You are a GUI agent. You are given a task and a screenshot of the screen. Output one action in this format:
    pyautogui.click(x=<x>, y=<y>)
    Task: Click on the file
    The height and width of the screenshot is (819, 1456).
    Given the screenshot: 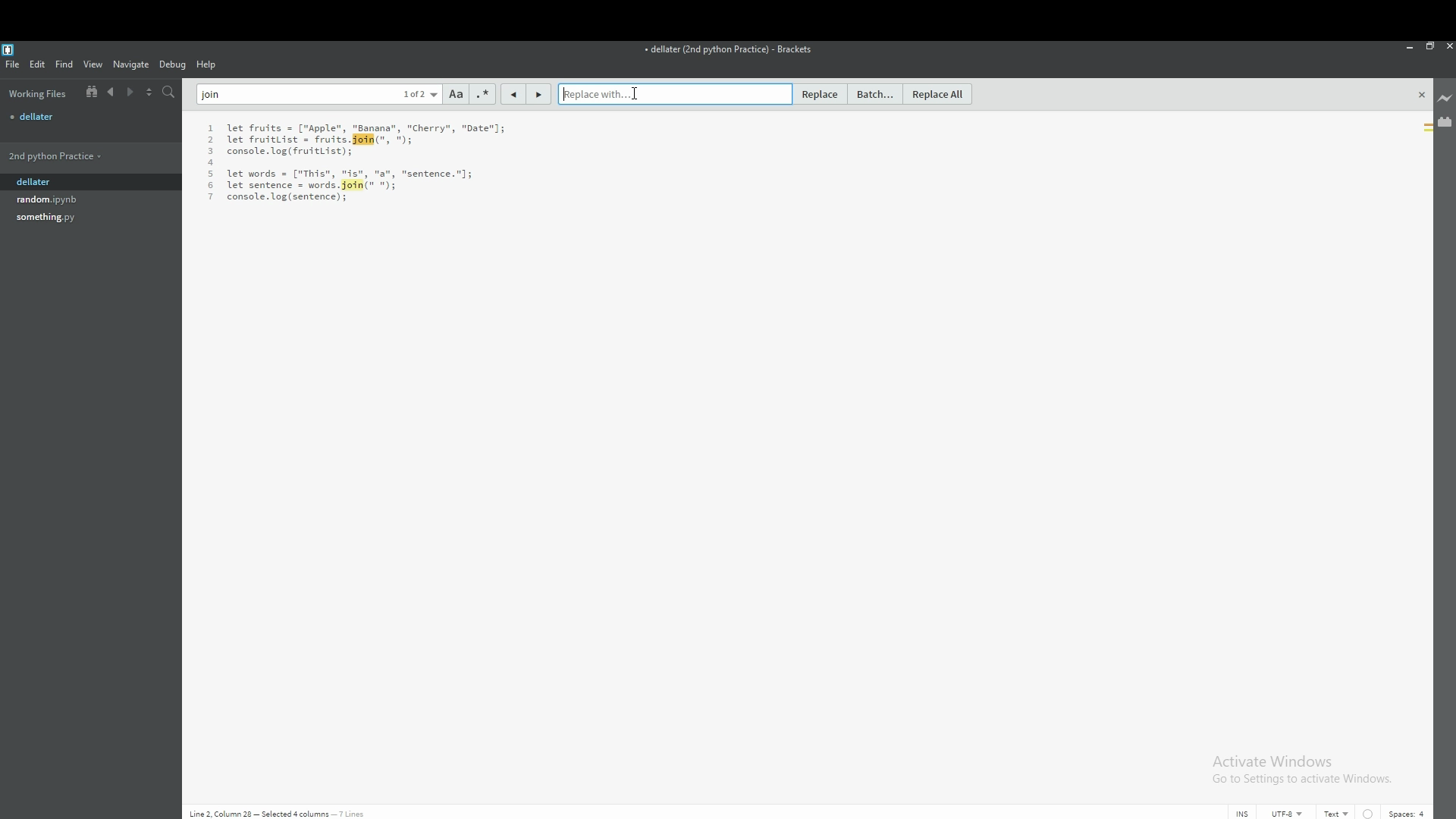 What is the action you would take?
    pyautogui.click(x=71, y=199)
    